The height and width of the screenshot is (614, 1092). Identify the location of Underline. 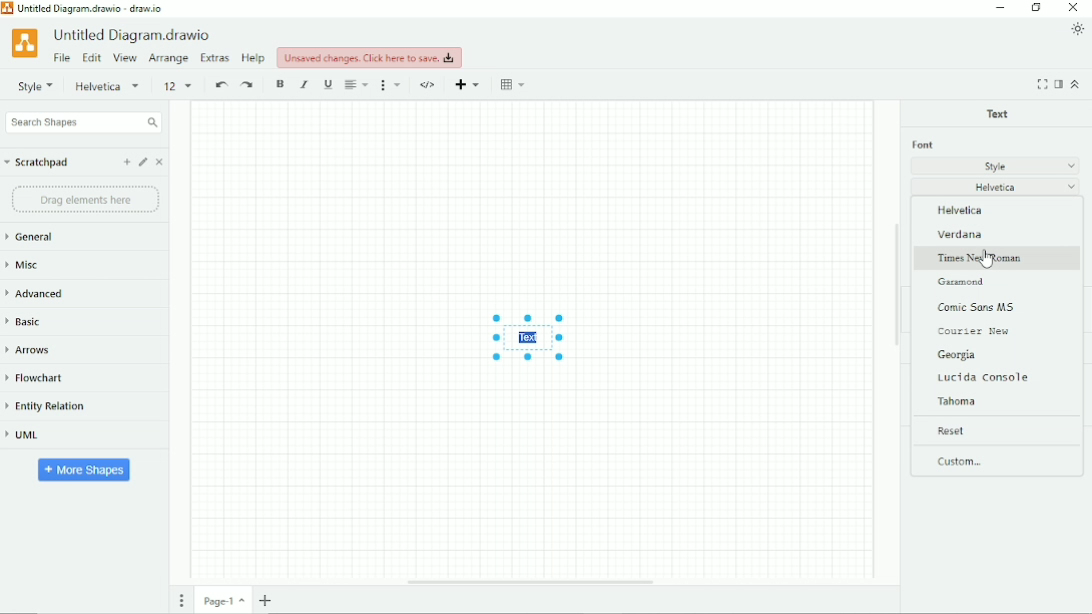
(328, 84).